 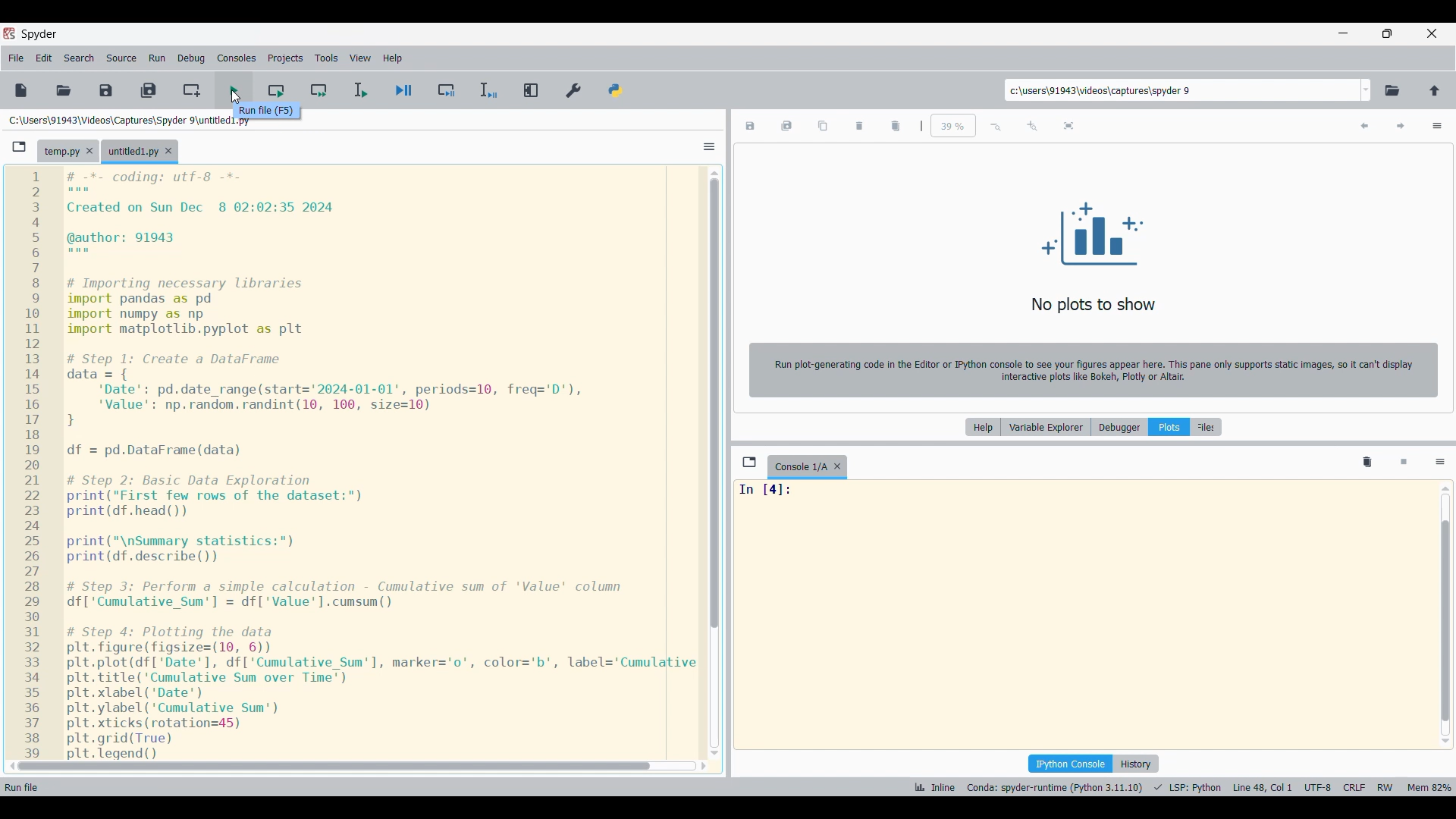 What do you see at coordinates (20, 147) in the screenshot?
I see `Browse tabs` at bounding box center [20, 147].